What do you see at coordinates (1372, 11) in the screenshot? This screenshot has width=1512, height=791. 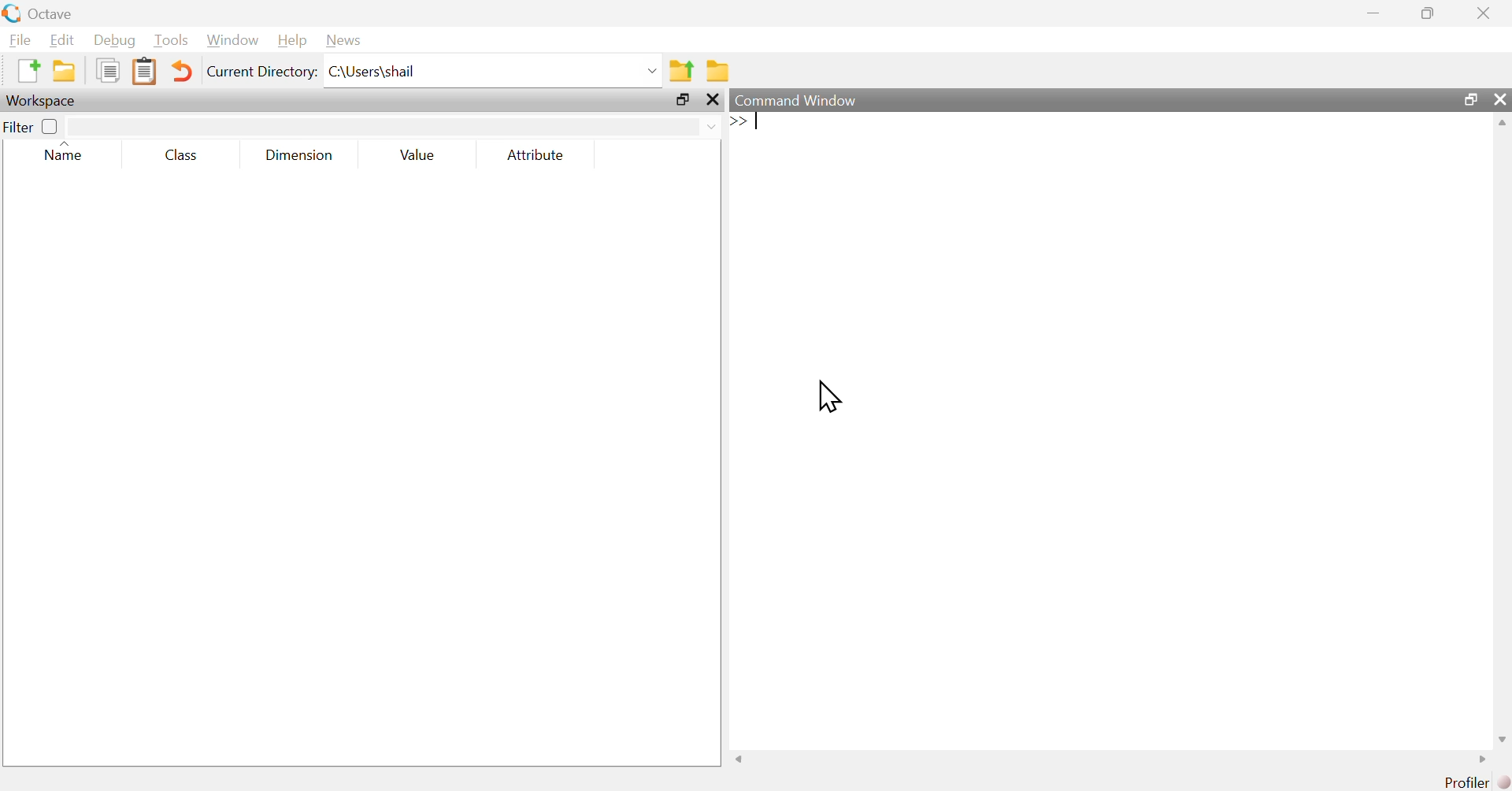 I see `minimize` at bounding box center [1372, 11].